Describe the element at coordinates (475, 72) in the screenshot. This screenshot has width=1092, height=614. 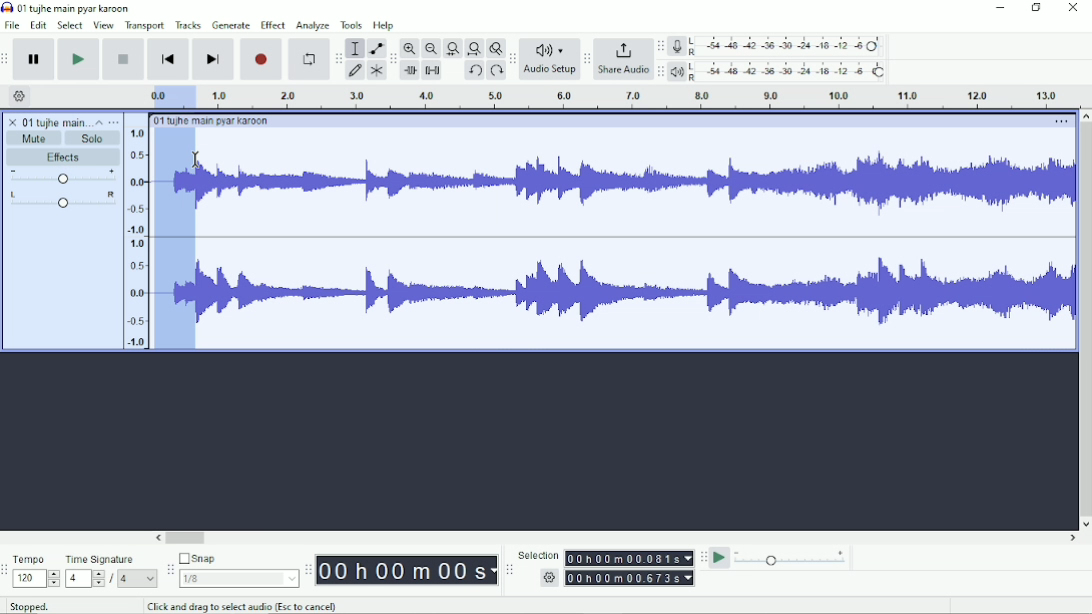
I see `Undo` at that location.